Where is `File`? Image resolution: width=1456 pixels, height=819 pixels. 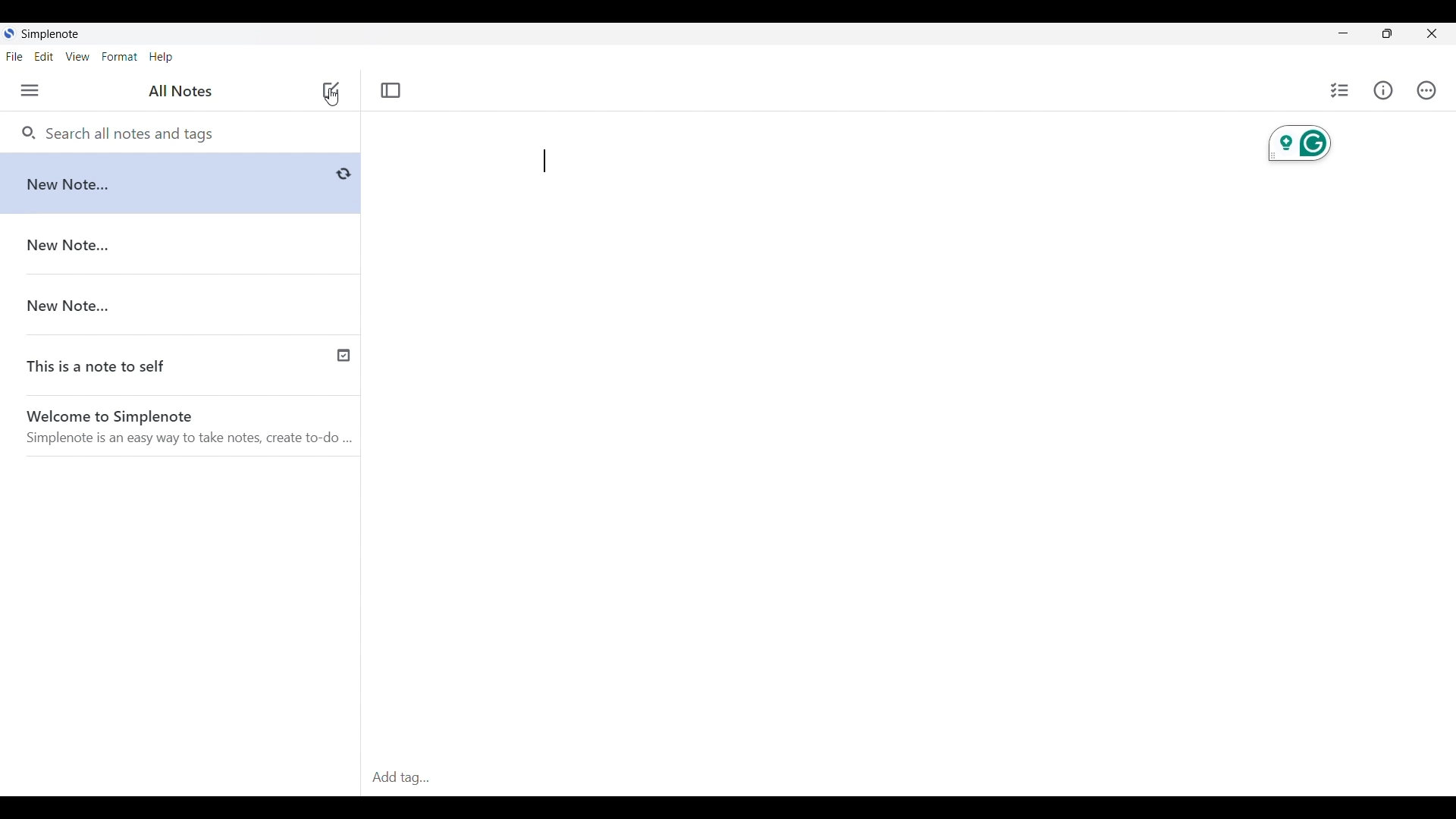 File is located at coordinates (14, 56).